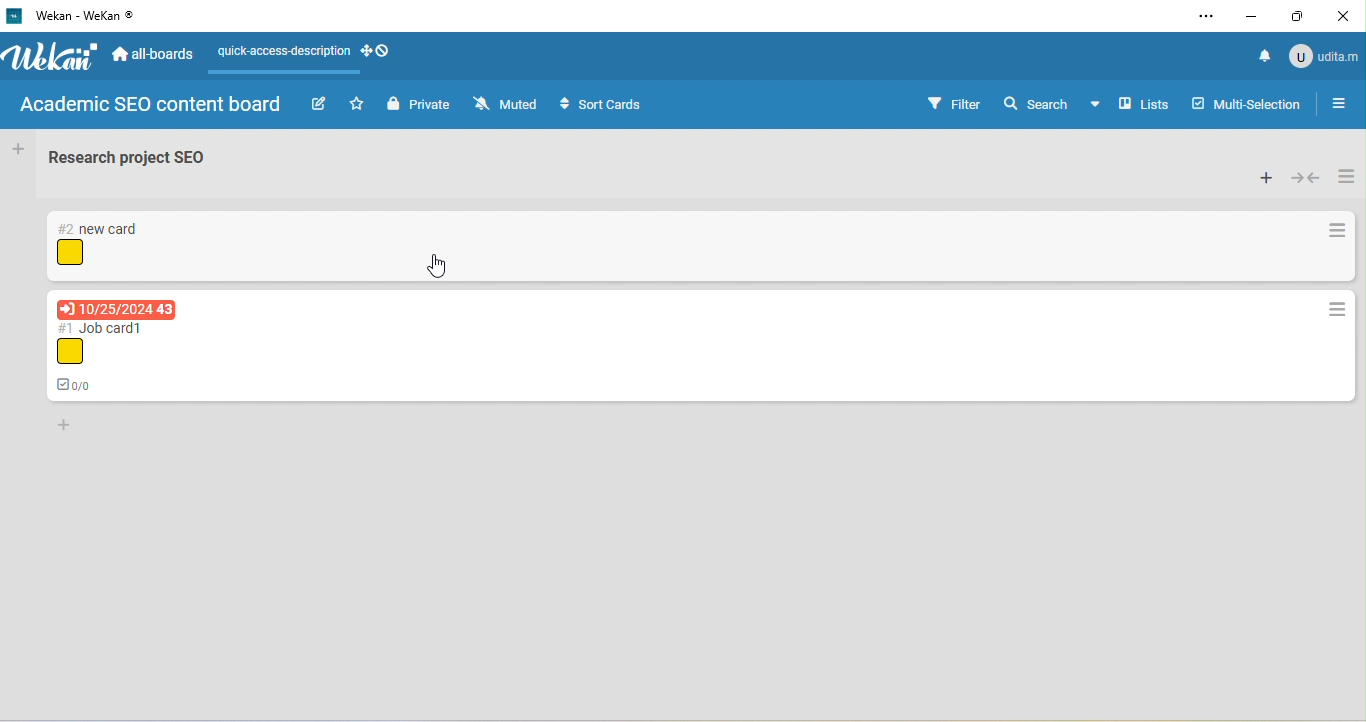 Image resolution: width=1366 pixels, height=722 pixels. What do you see at coordinates (17, 149) in the screenshot?
I see `add list` at bounding box center [17, 149].